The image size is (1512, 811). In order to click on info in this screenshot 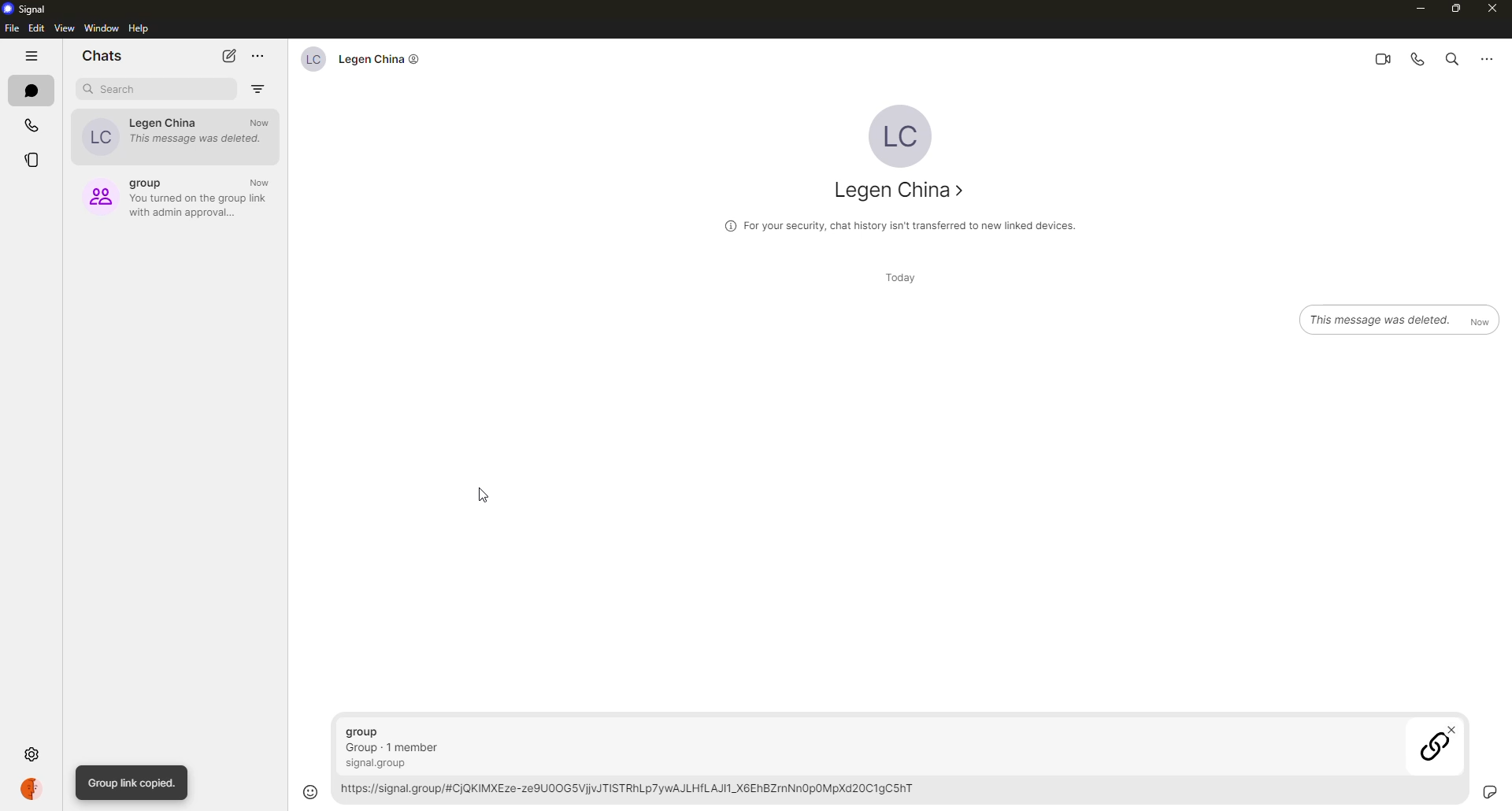, I will do `click(899, 224)`.